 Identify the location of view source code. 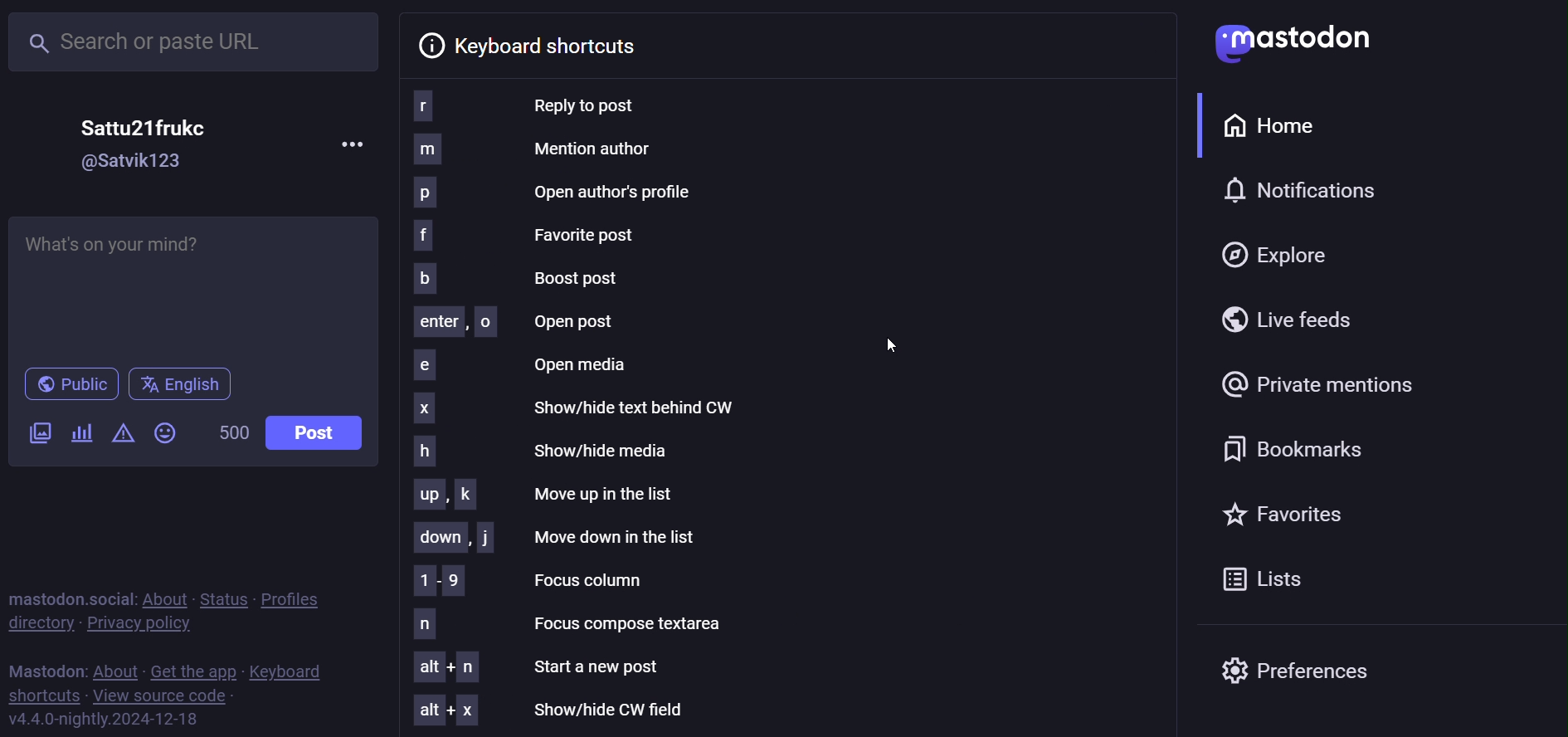
(167, 695).